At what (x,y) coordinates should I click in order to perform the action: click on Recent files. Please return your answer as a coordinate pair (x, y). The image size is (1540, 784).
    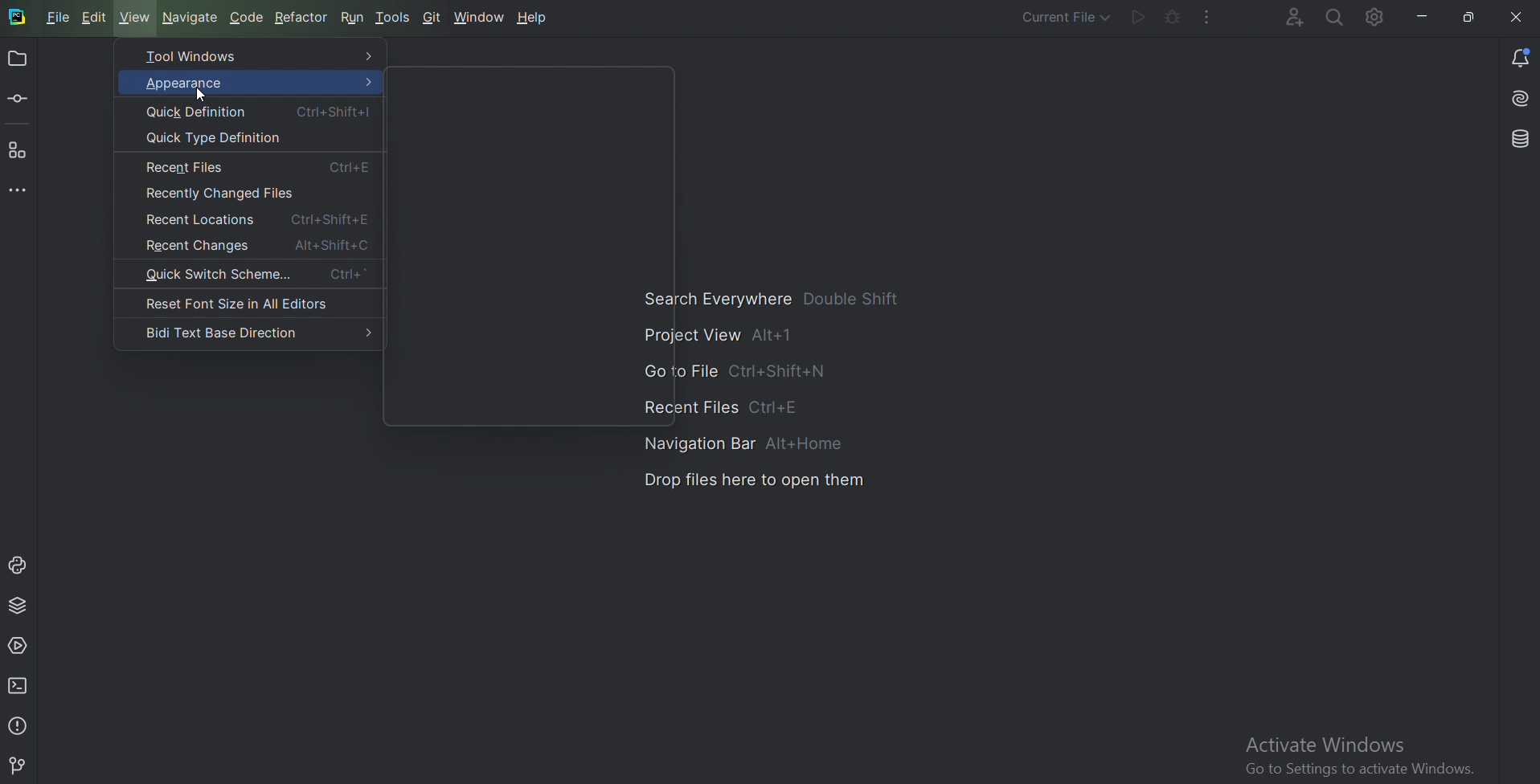
    Looking at the image, I should click on (259, 167).